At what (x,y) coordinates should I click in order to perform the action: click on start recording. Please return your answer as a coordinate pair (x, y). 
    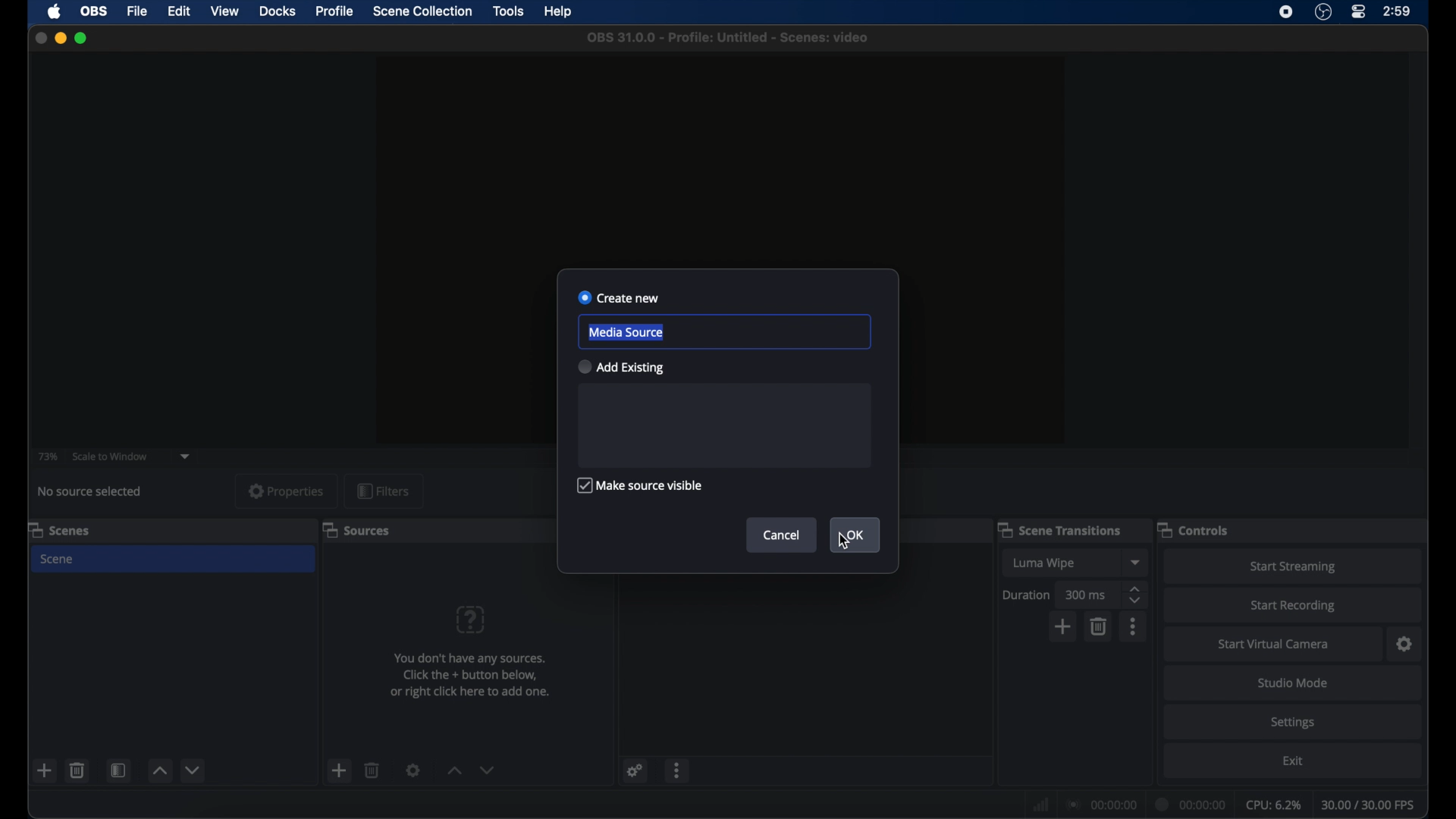
    Looking at the image, I should click on (1293, 606).